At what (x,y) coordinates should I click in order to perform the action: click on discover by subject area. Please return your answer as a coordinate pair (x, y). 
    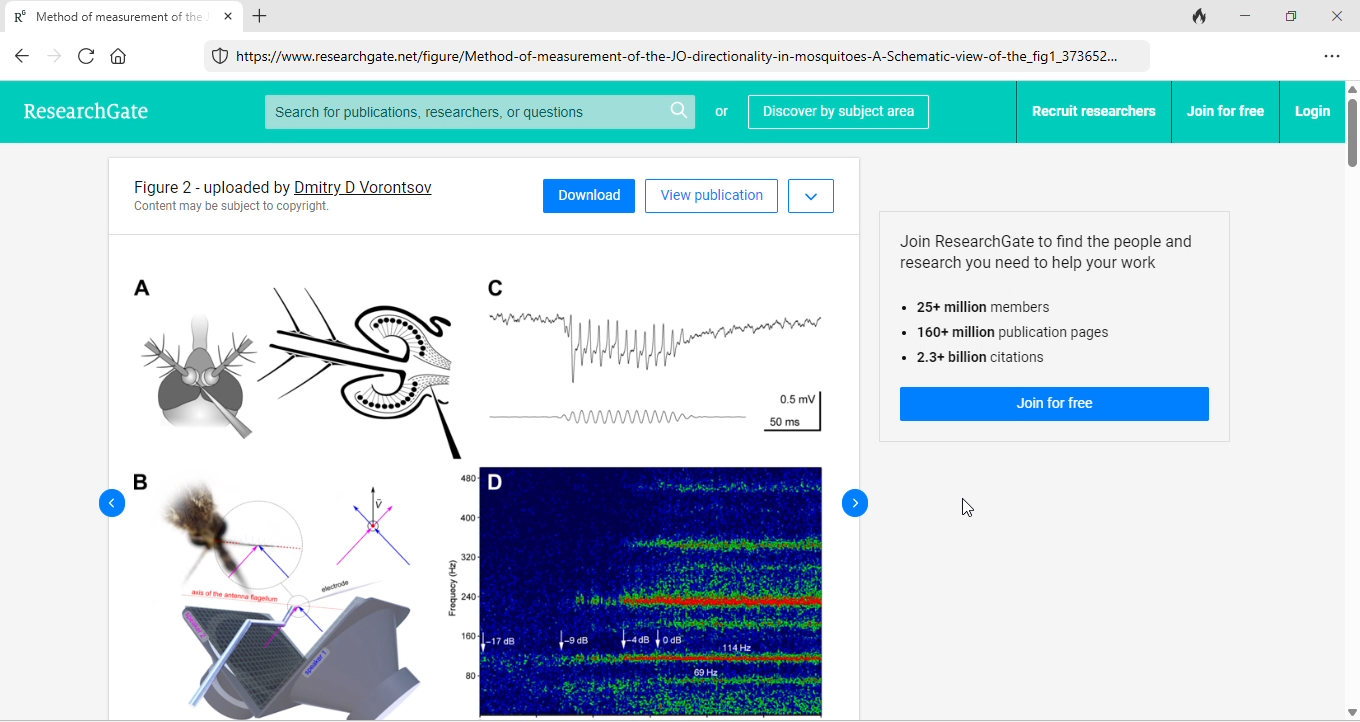
    Looking at the image, I should click on (840, 111).